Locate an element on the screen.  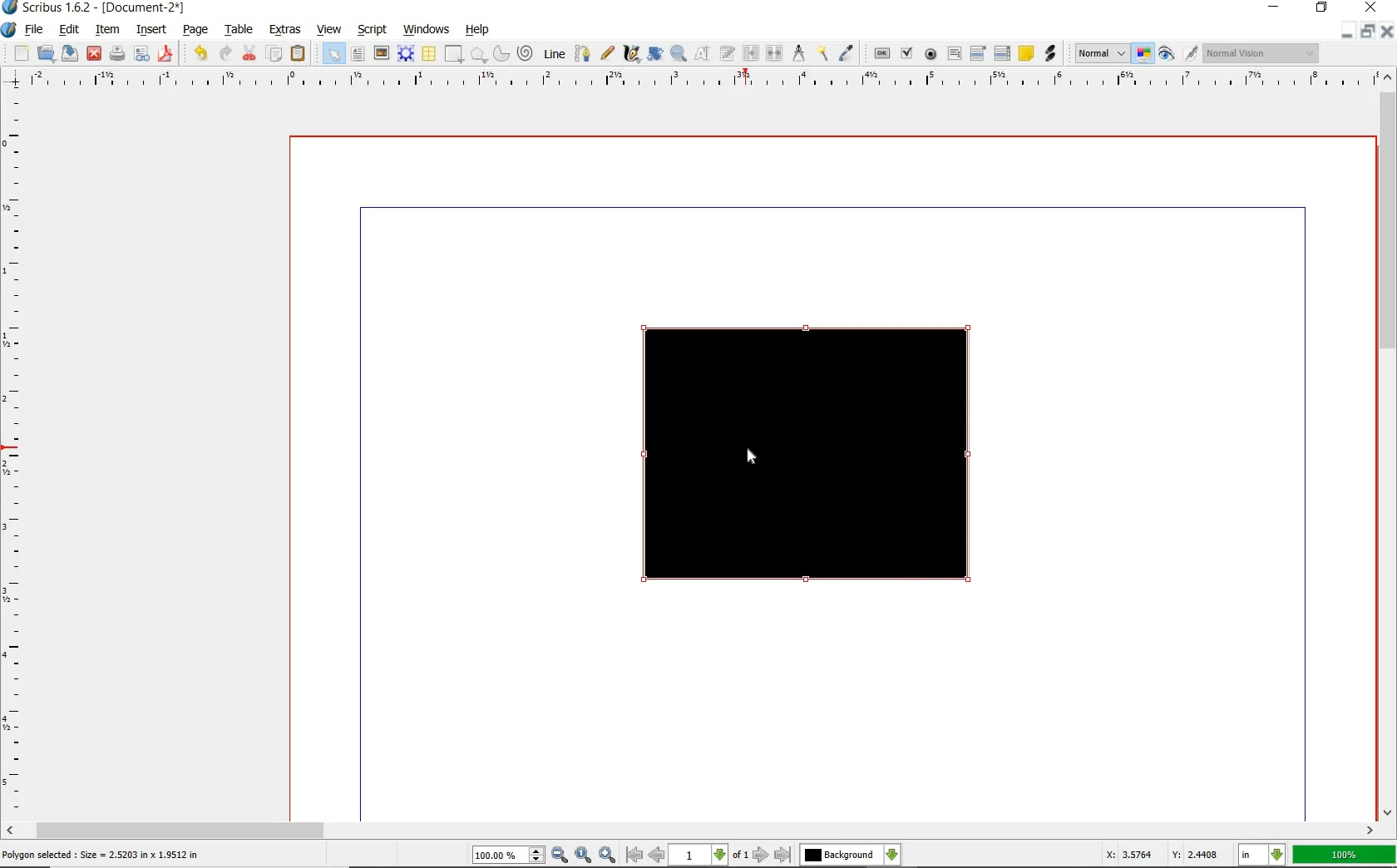
select item is located at coordinates (329, 54).